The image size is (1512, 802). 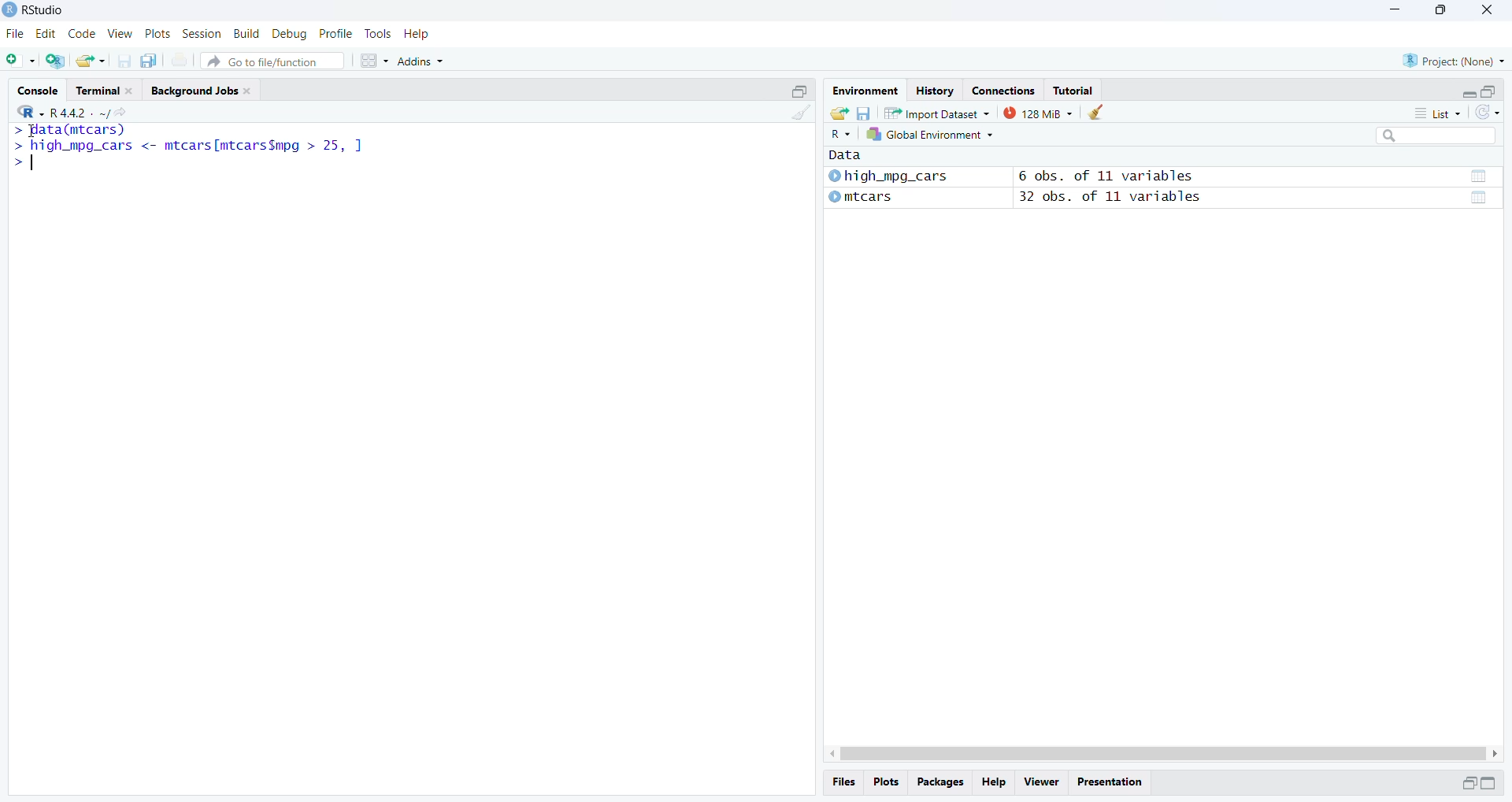 What do you see at coordinates (1036, 113) in the screenshot?
I see `125 MiB` at bounding box center [1036, 113].